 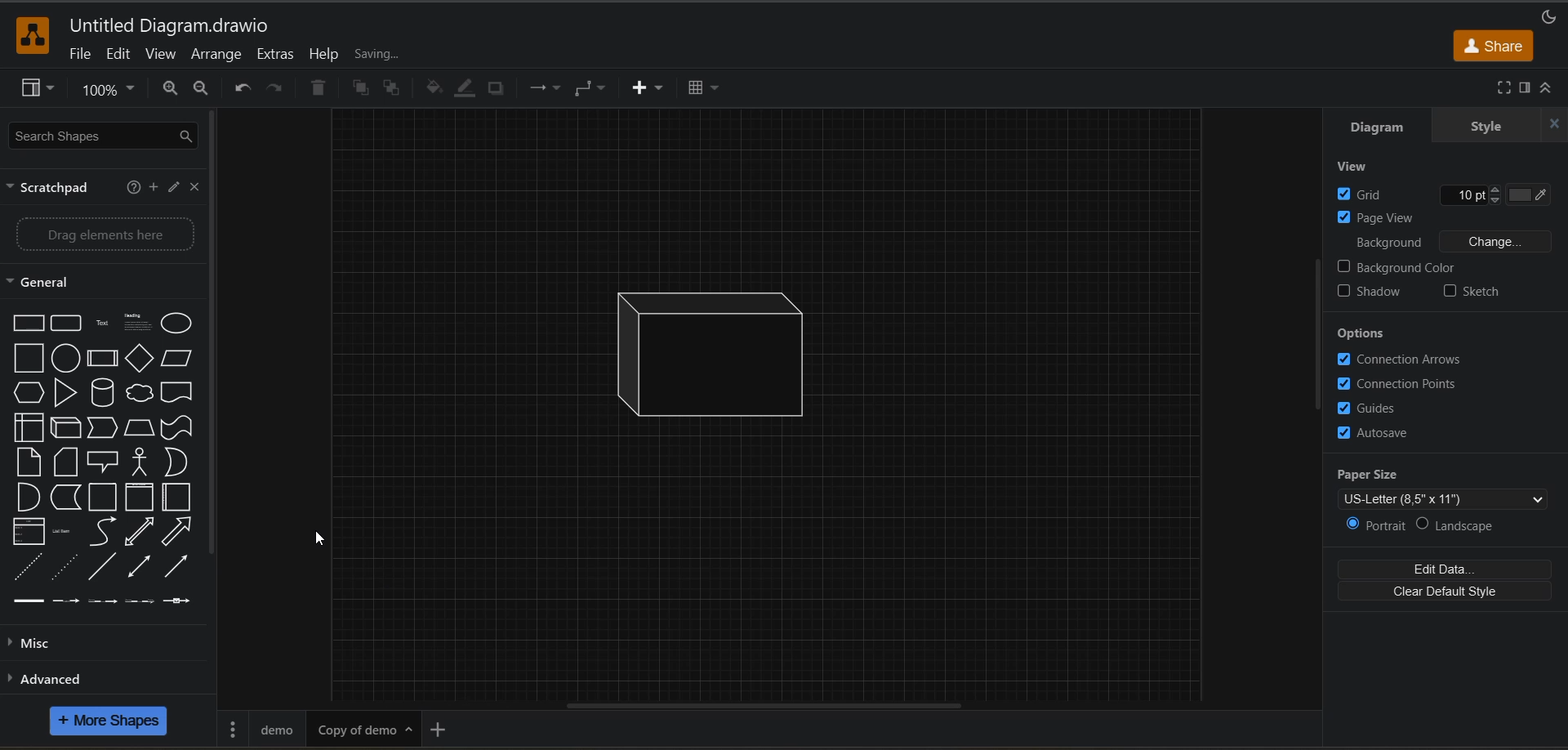 What do you see at coordinates (1526, 88) in the screenshot?
I see `format` at bounding box center [1526, 88].